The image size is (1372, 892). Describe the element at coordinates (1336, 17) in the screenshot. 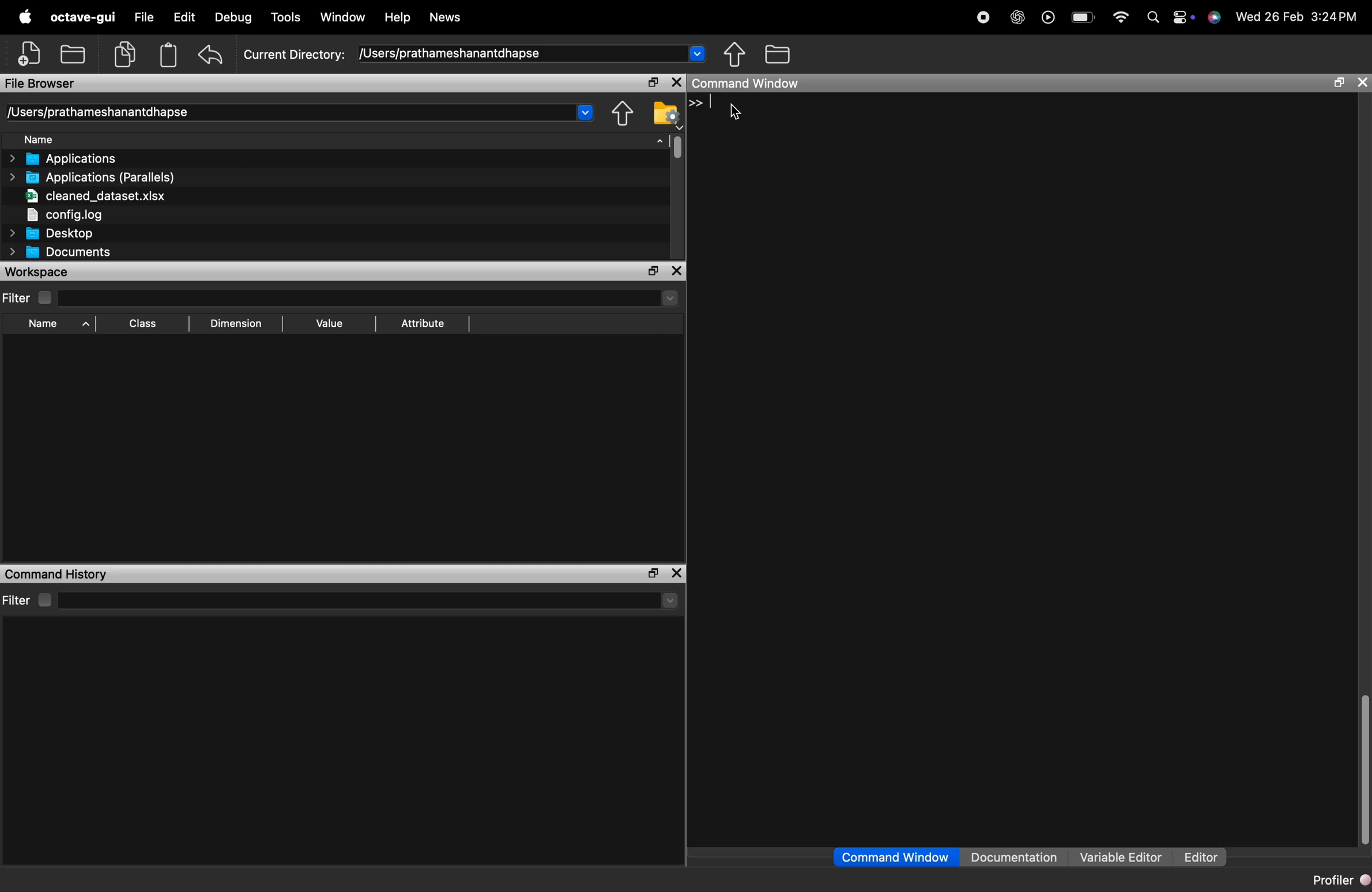

I see `3:24PM` at that location.